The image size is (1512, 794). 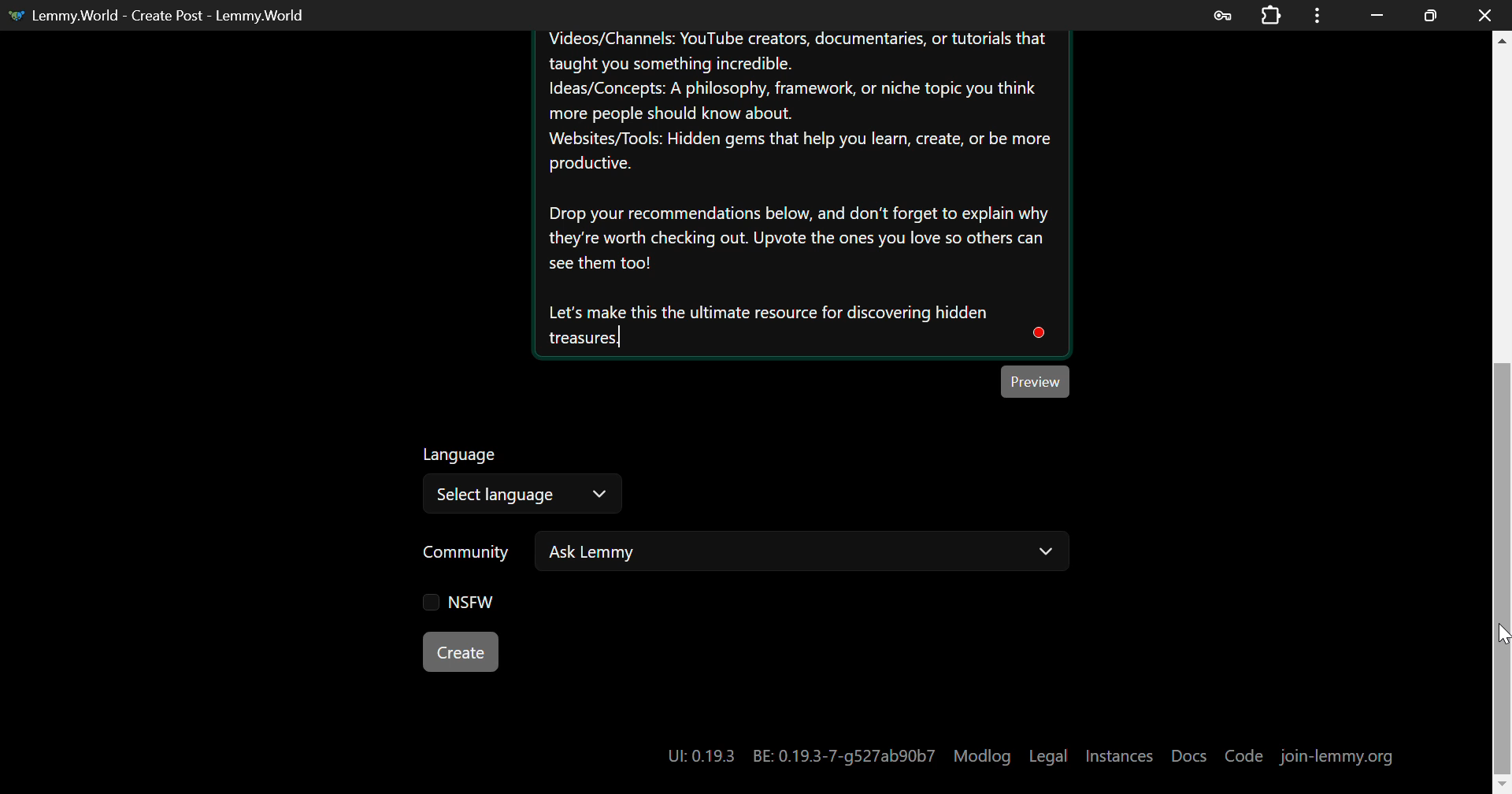 What do you see at coordinates (1431, 16) in the screenshot?
I see `Minimize` at bounding box center [1431, 16].